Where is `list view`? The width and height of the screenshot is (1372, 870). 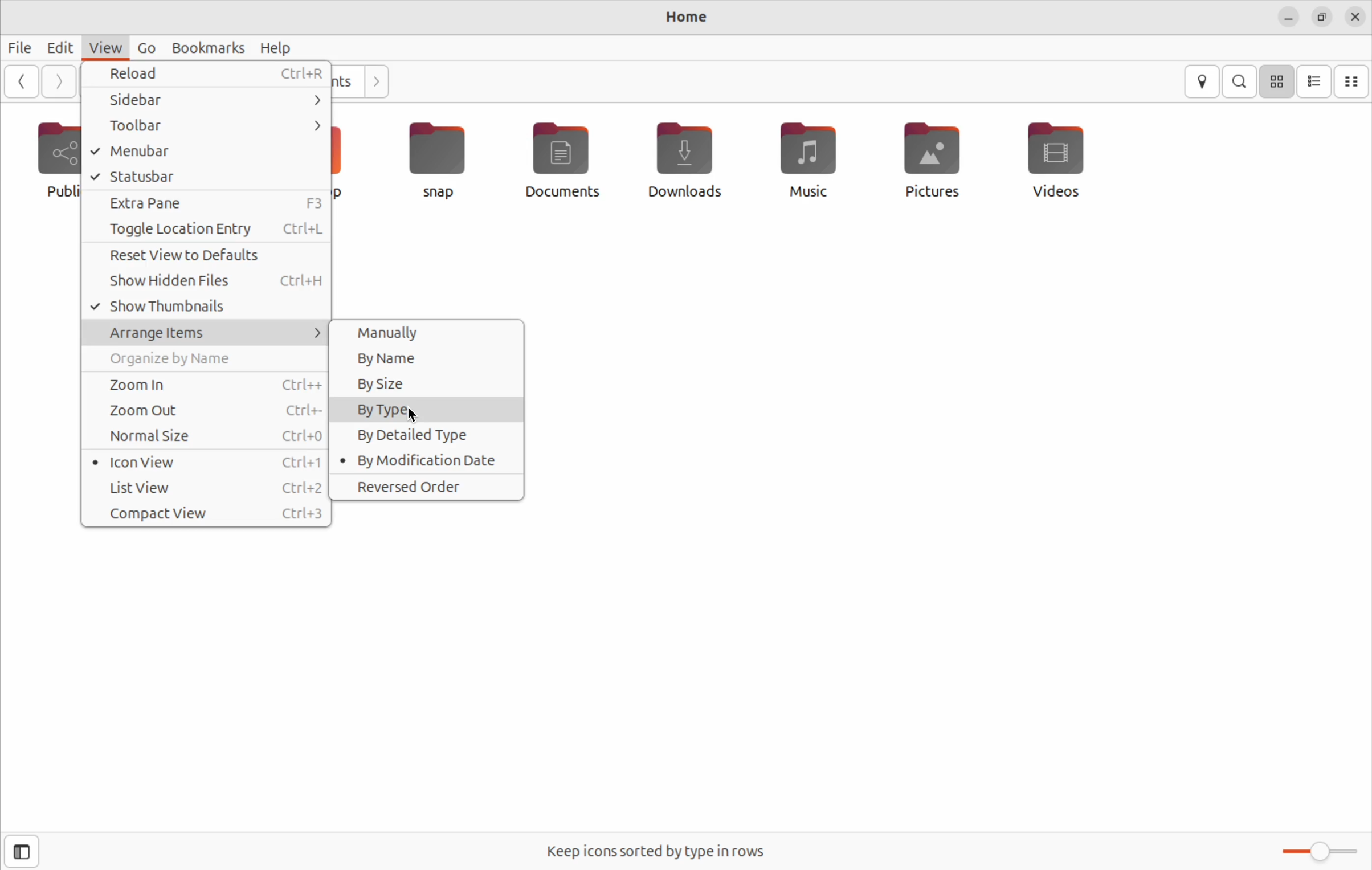 list view is located at coordinates (206, 486).